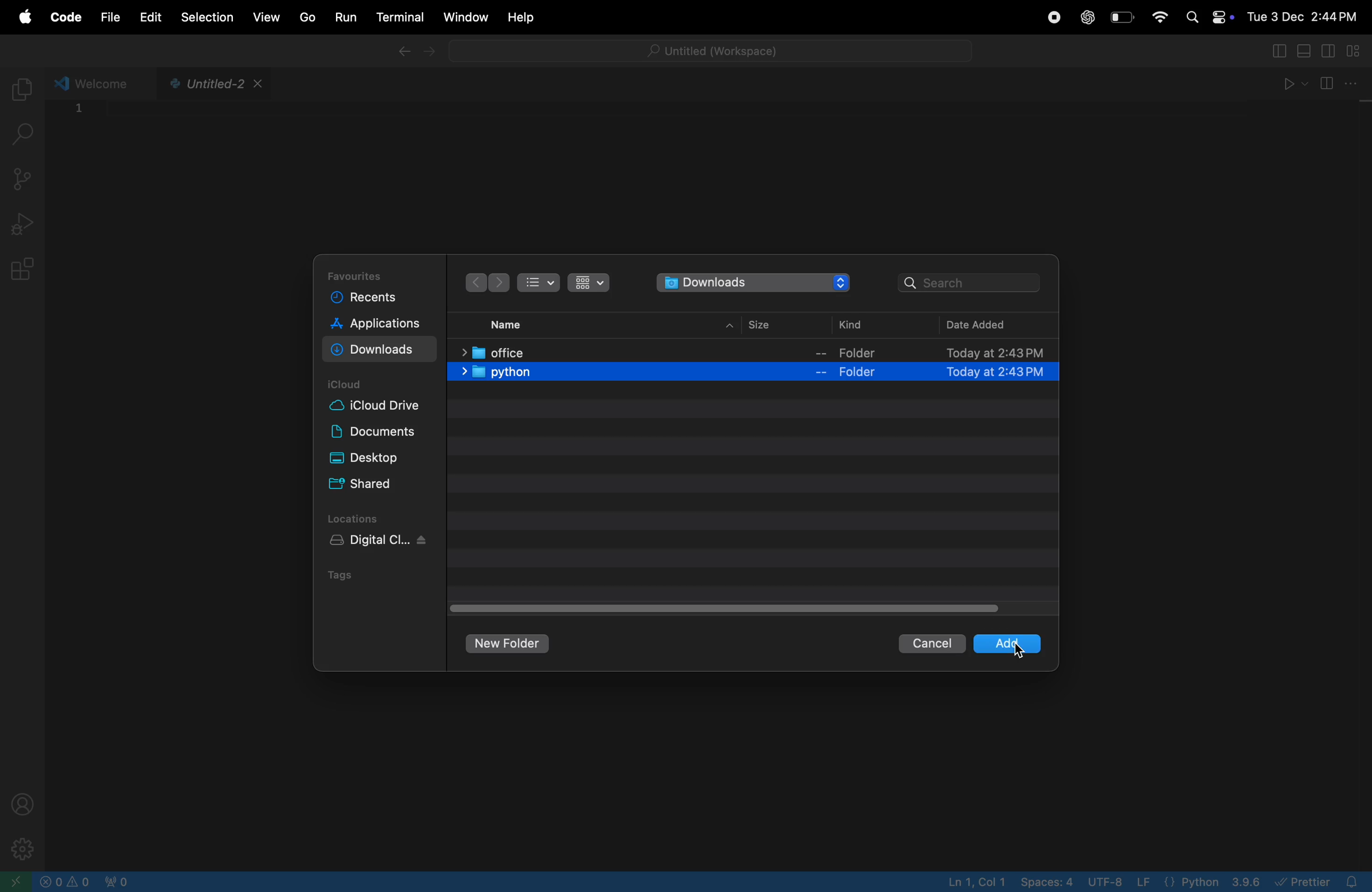  I want to click on tags, so click(342, 577).